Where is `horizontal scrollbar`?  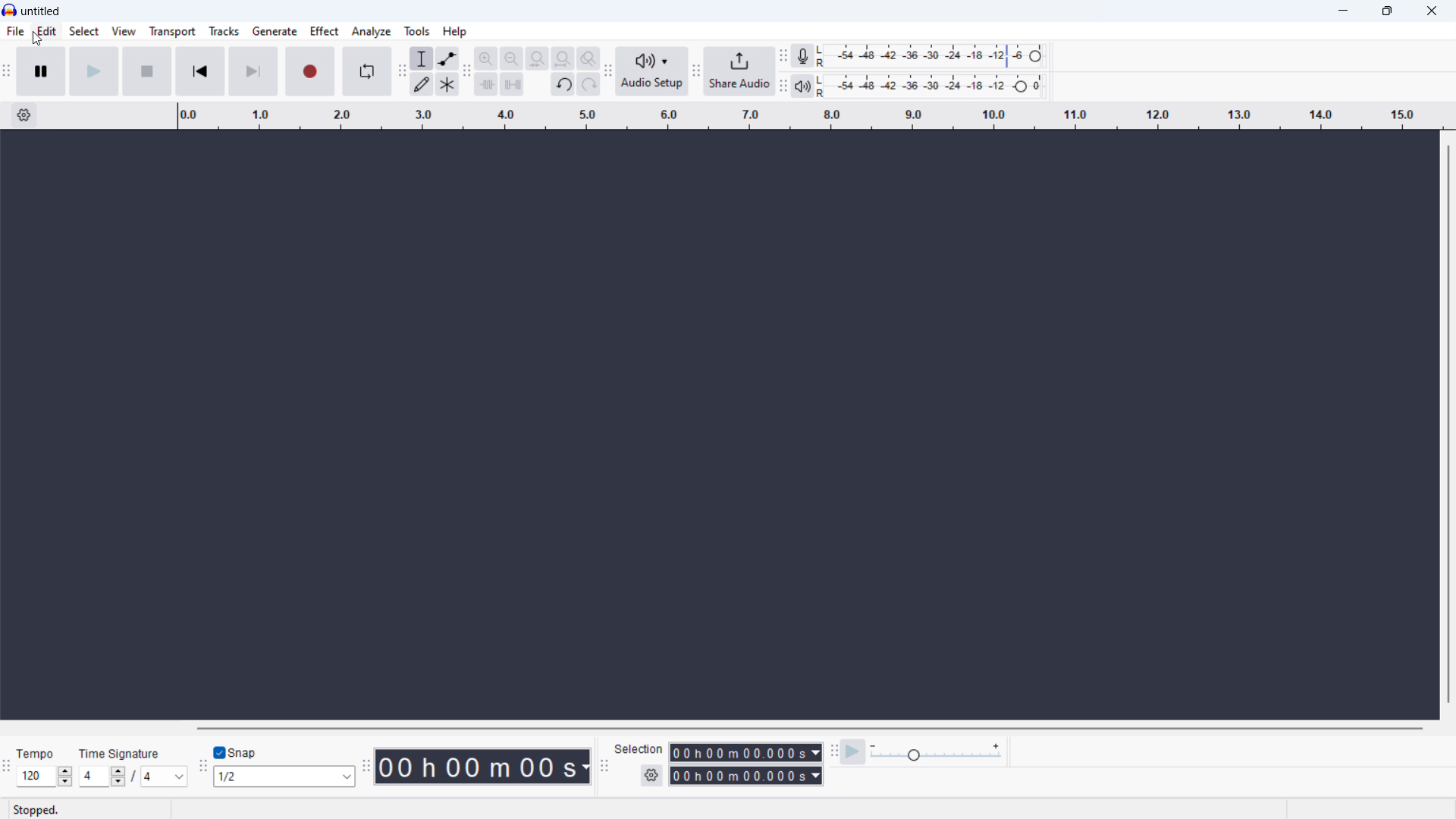 horizontal scrollbar is located at coordinates (811, 729).